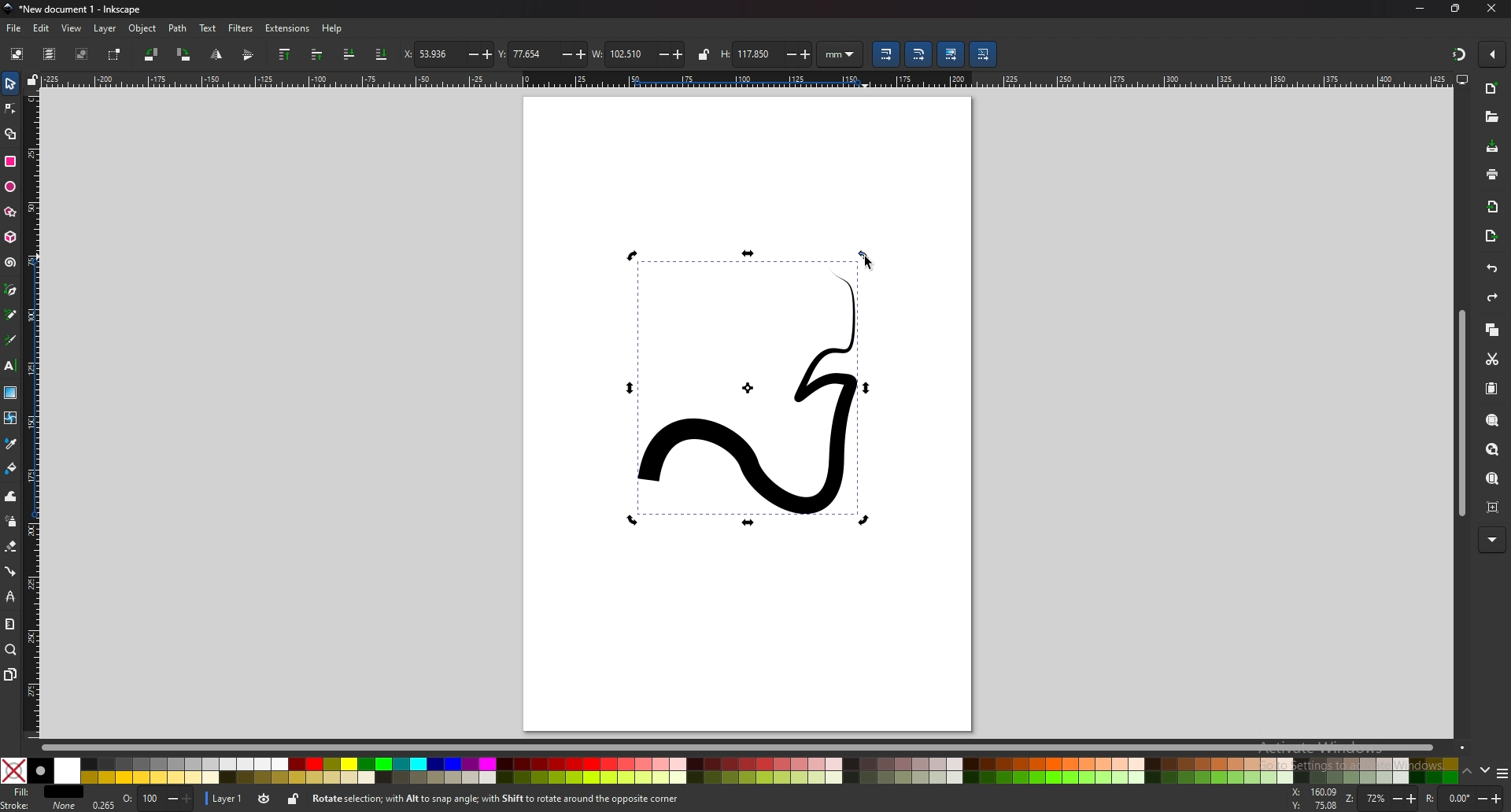 Image resolution: width=1511 pixels, height=812 pixels. I want to click on tweak, so click(11, 496).